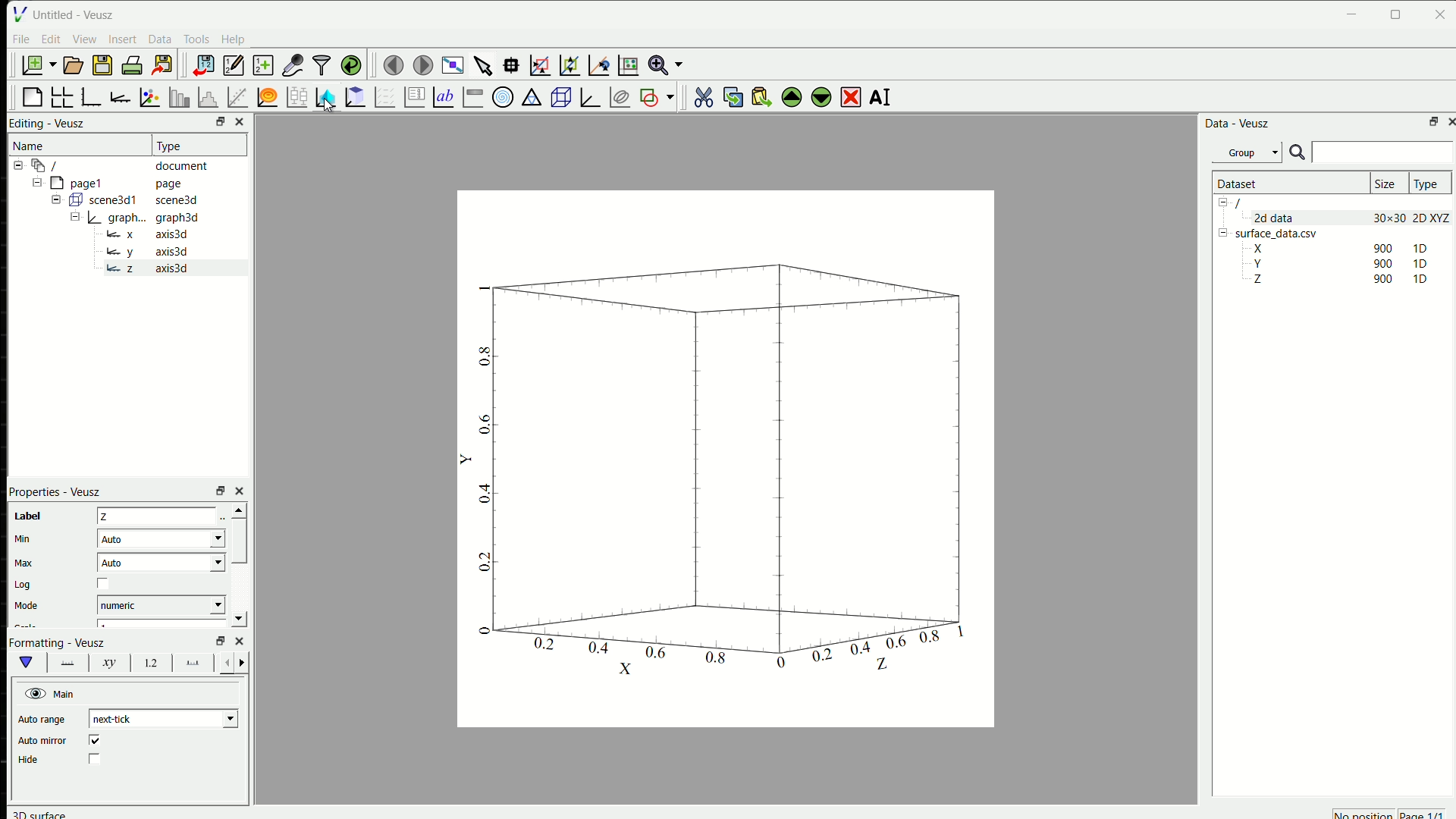 Image resolution: width=1456 pixels, height=819 pixels. Describe the element at coordinates (327, 96) in the screenshot. I see `plot a 2D dataset as images` at that location.